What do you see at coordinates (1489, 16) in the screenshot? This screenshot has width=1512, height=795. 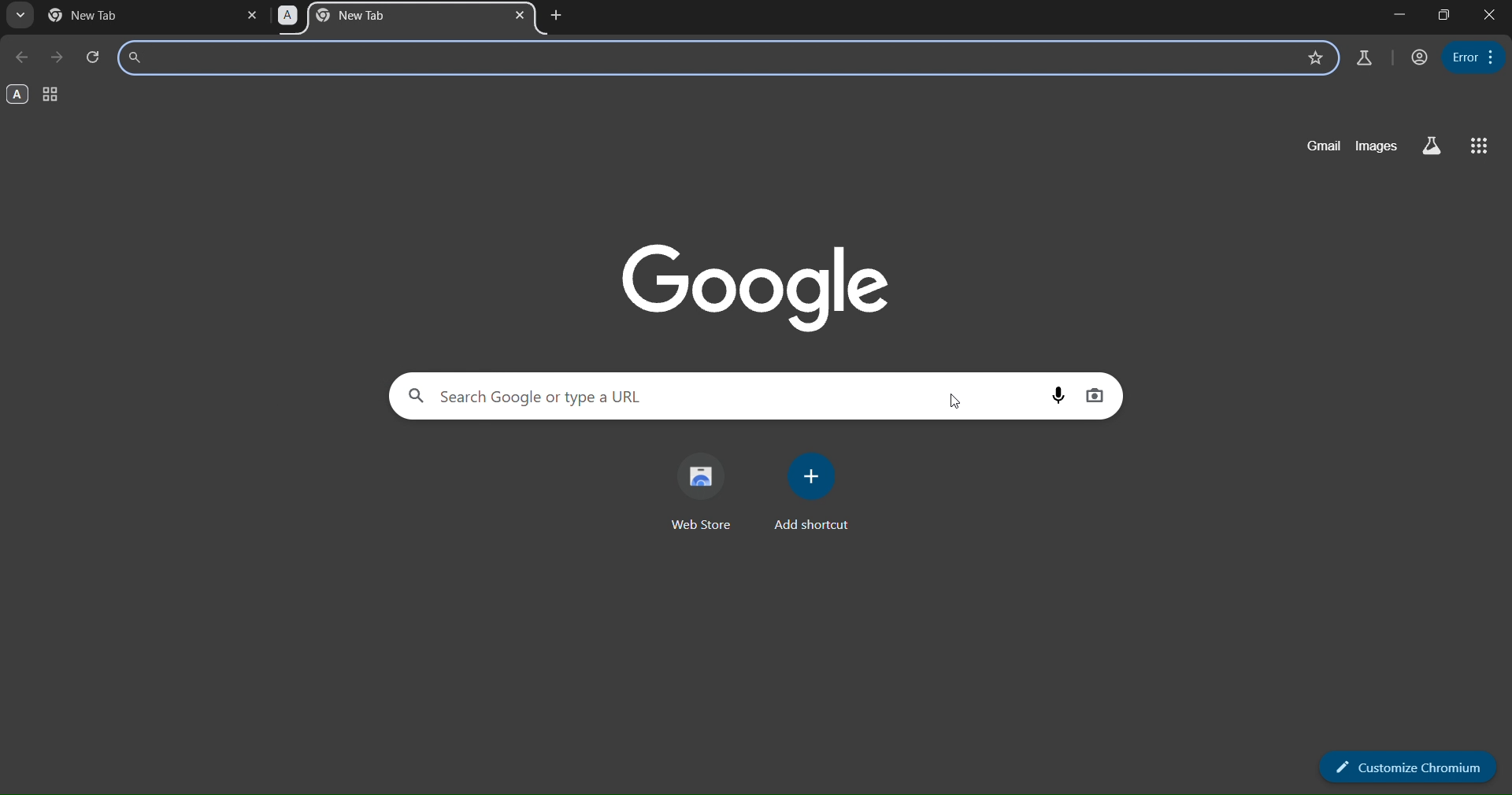 I see `close` at bounding box center [1489, 16].